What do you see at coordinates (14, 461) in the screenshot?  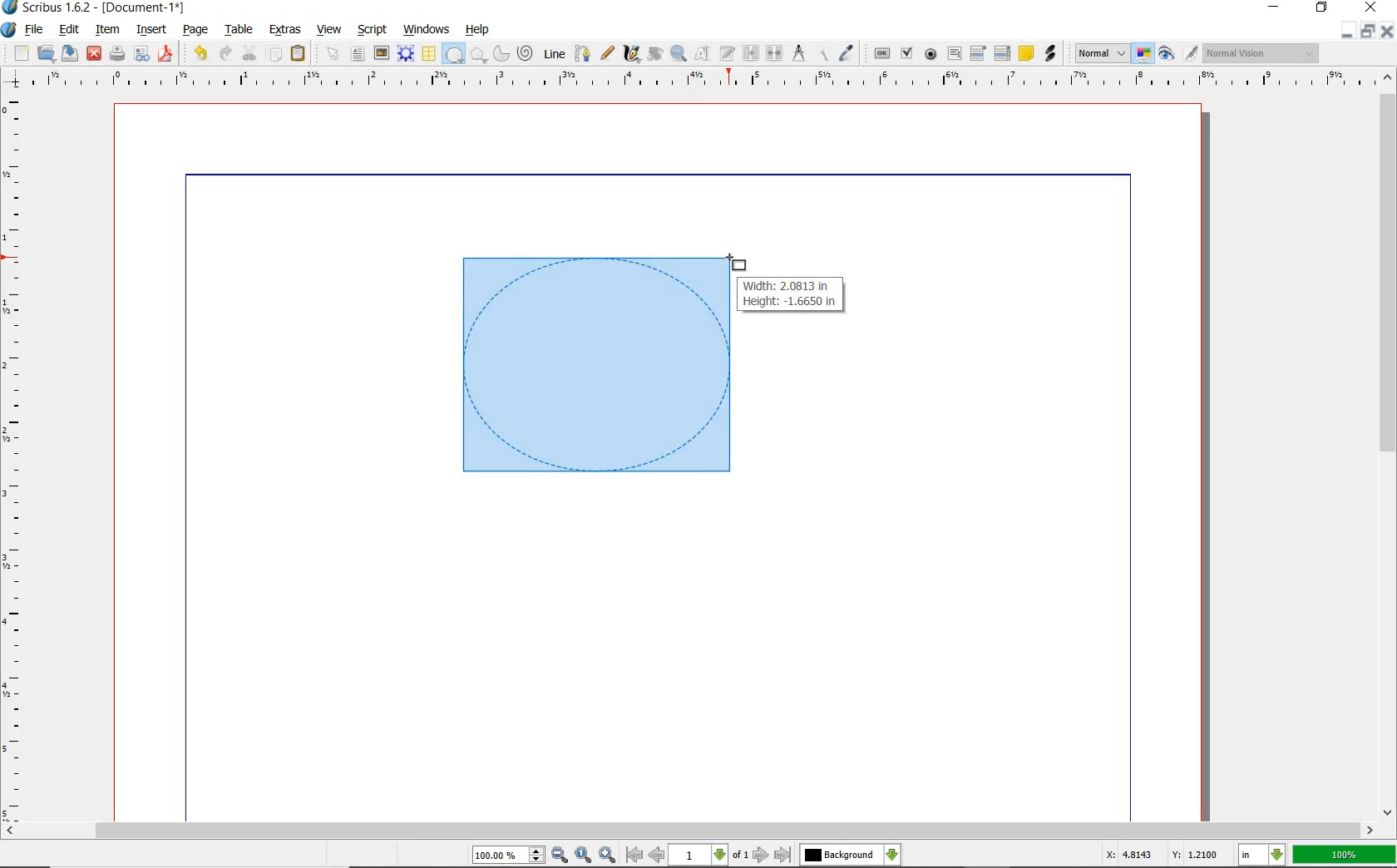 I see `RULER` at bounding box center [14, 461].